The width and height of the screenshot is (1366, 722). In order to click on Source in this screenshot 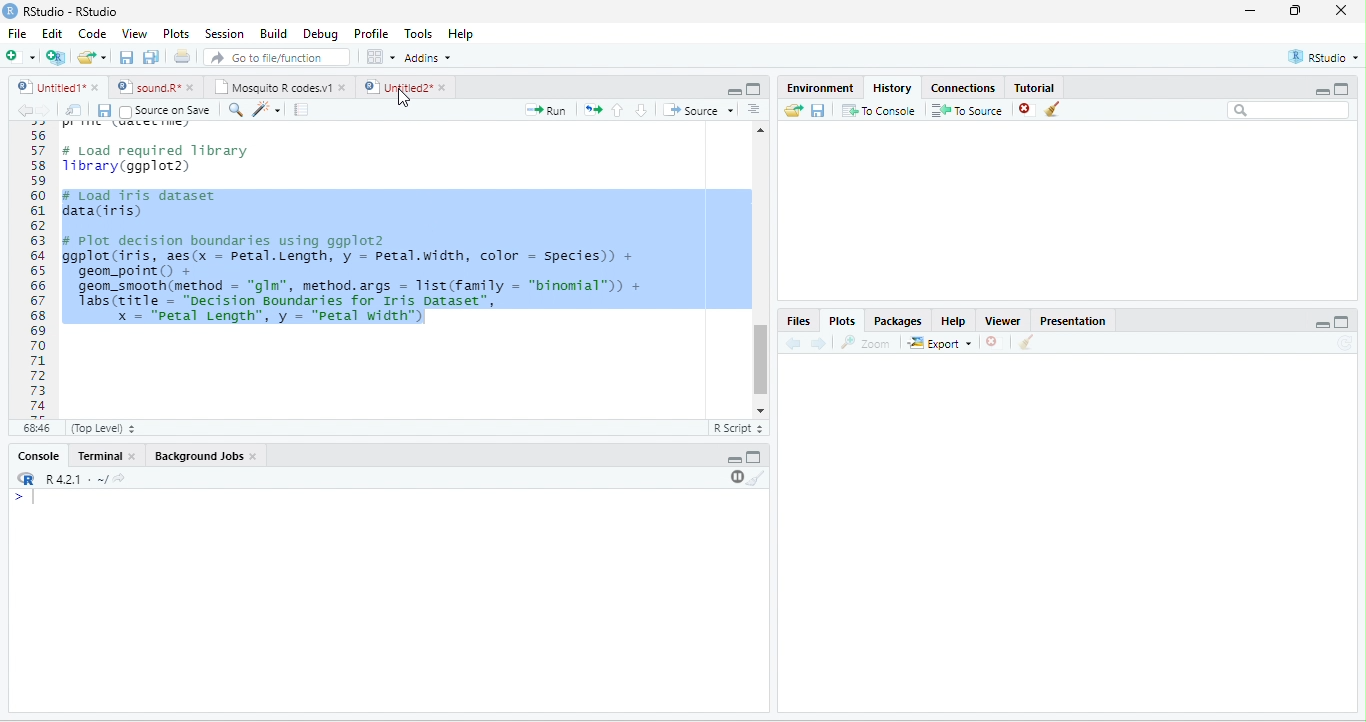, I will do `click(698, 110)`.